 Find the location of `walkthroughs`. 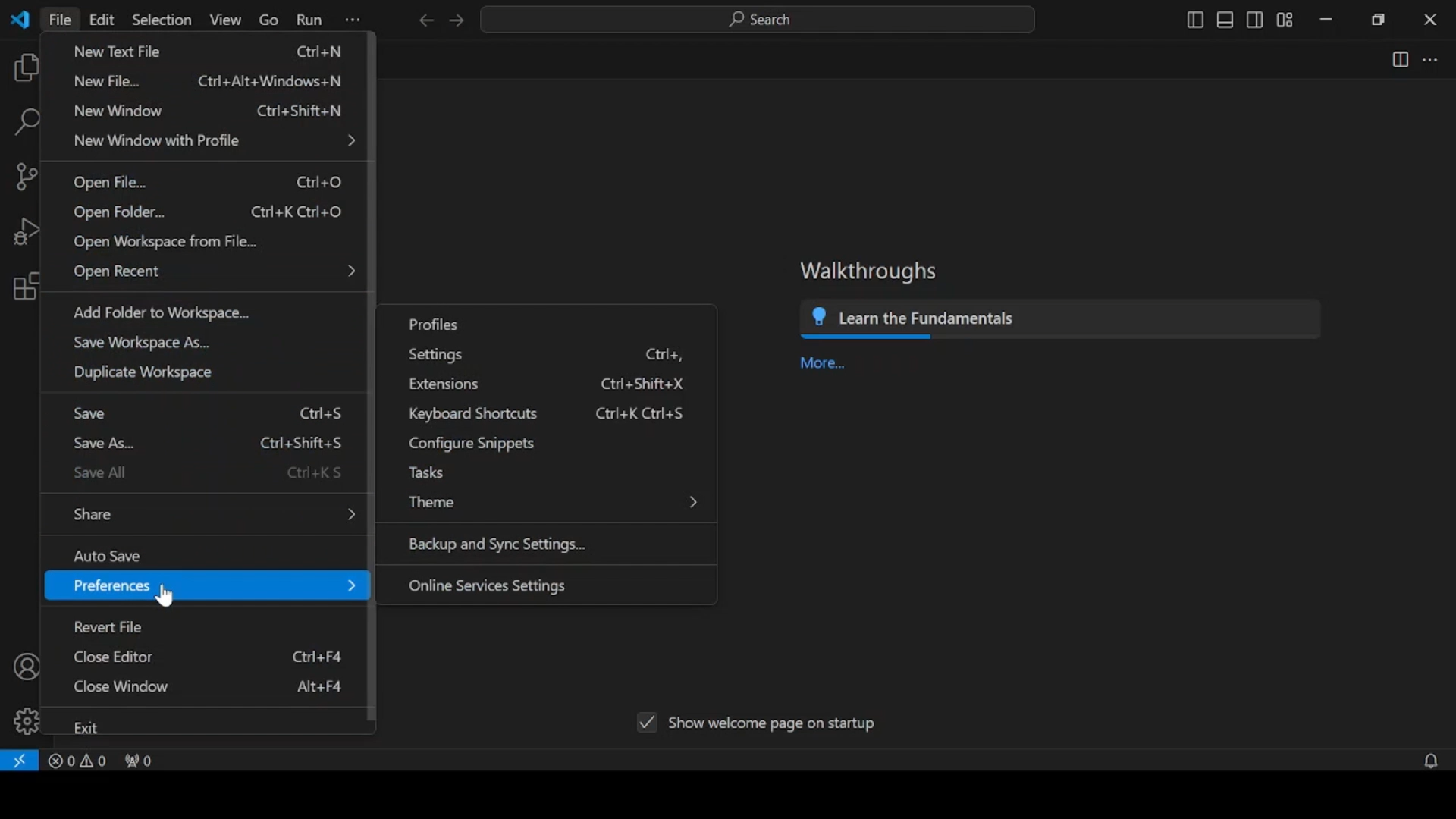

walkthroughs is located at coordinates (869, 272).